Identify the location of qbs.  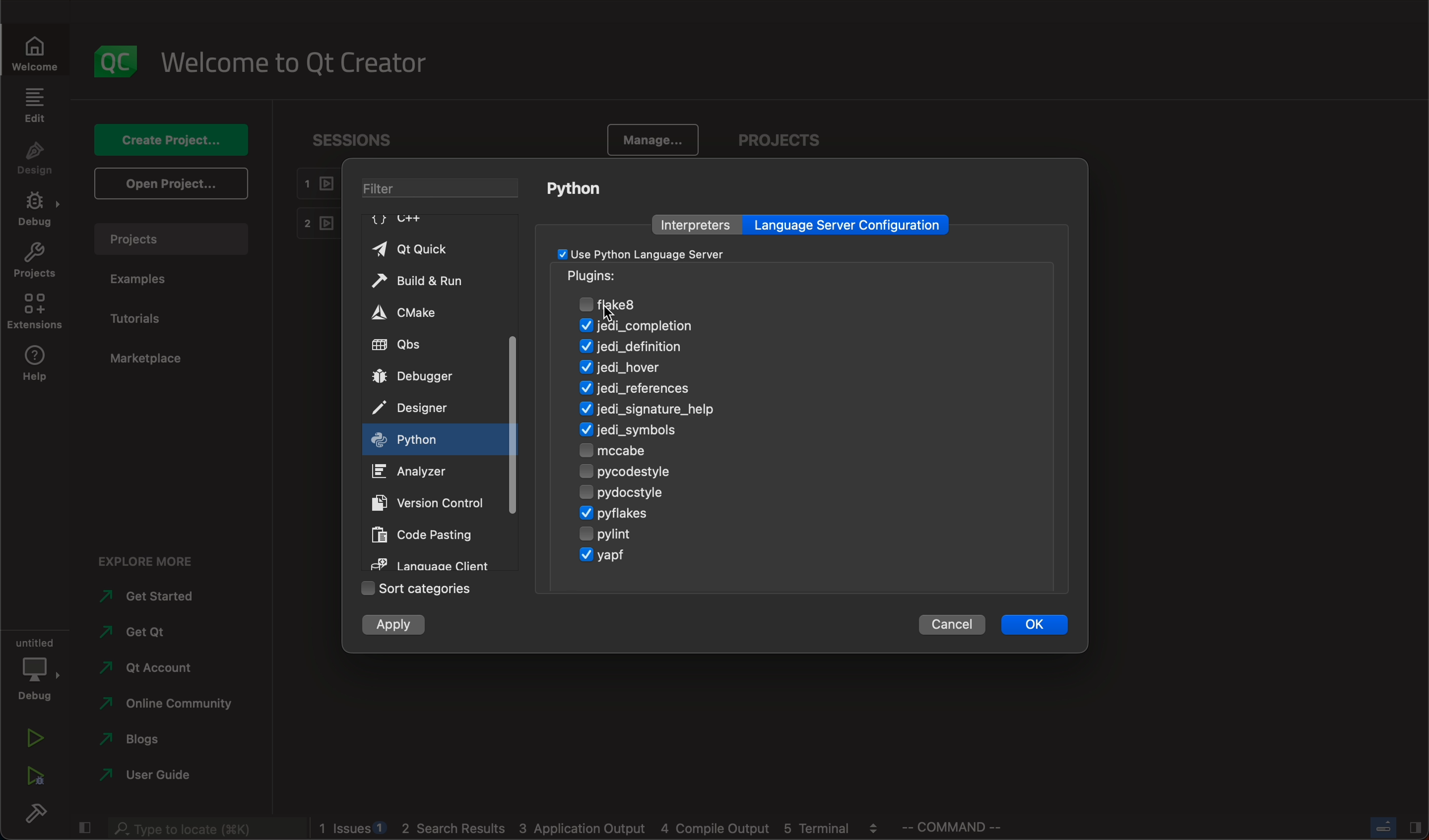
(423, 345).